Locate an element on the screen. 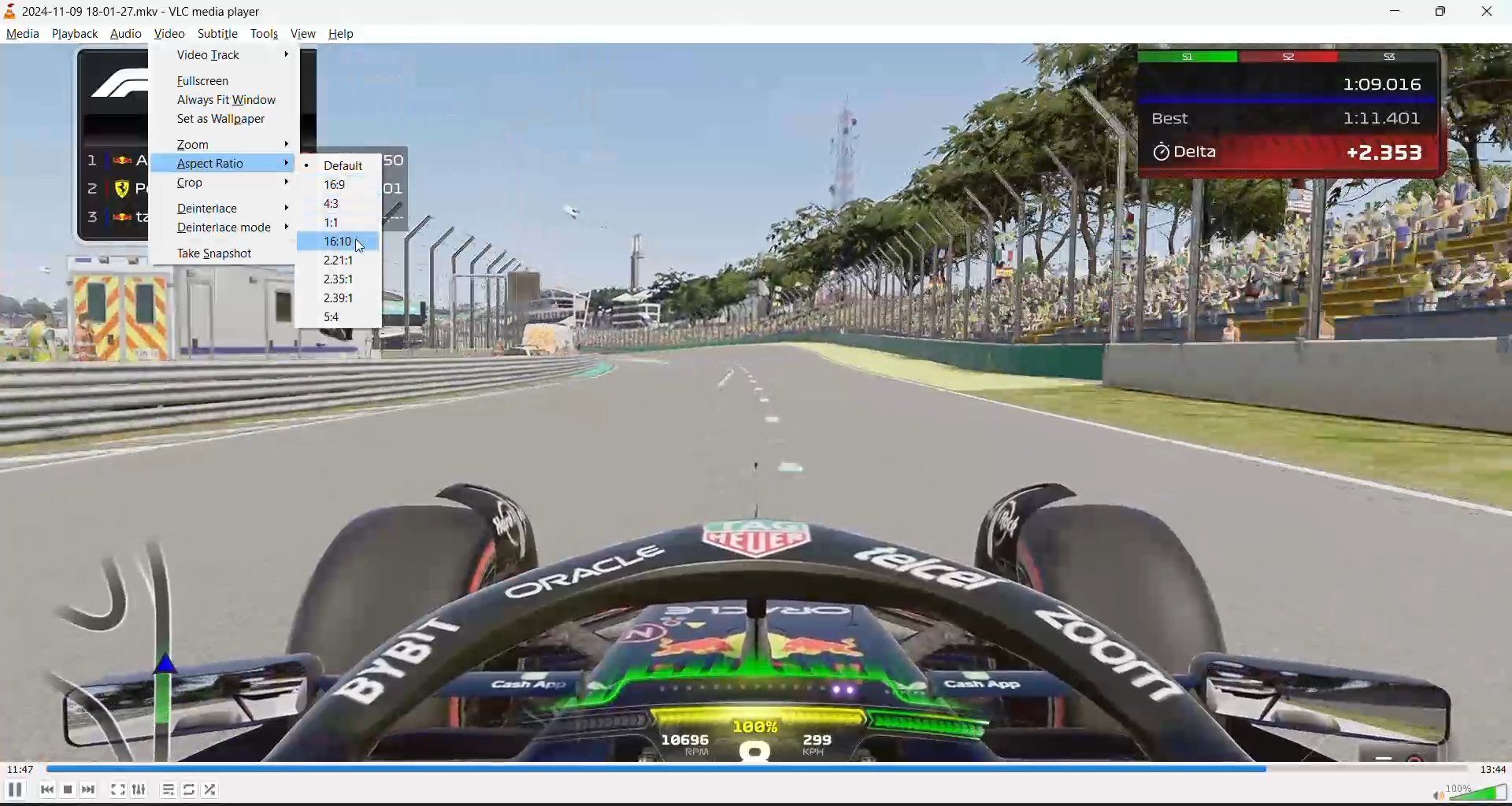  playlists is located at coordinates (169, 788).